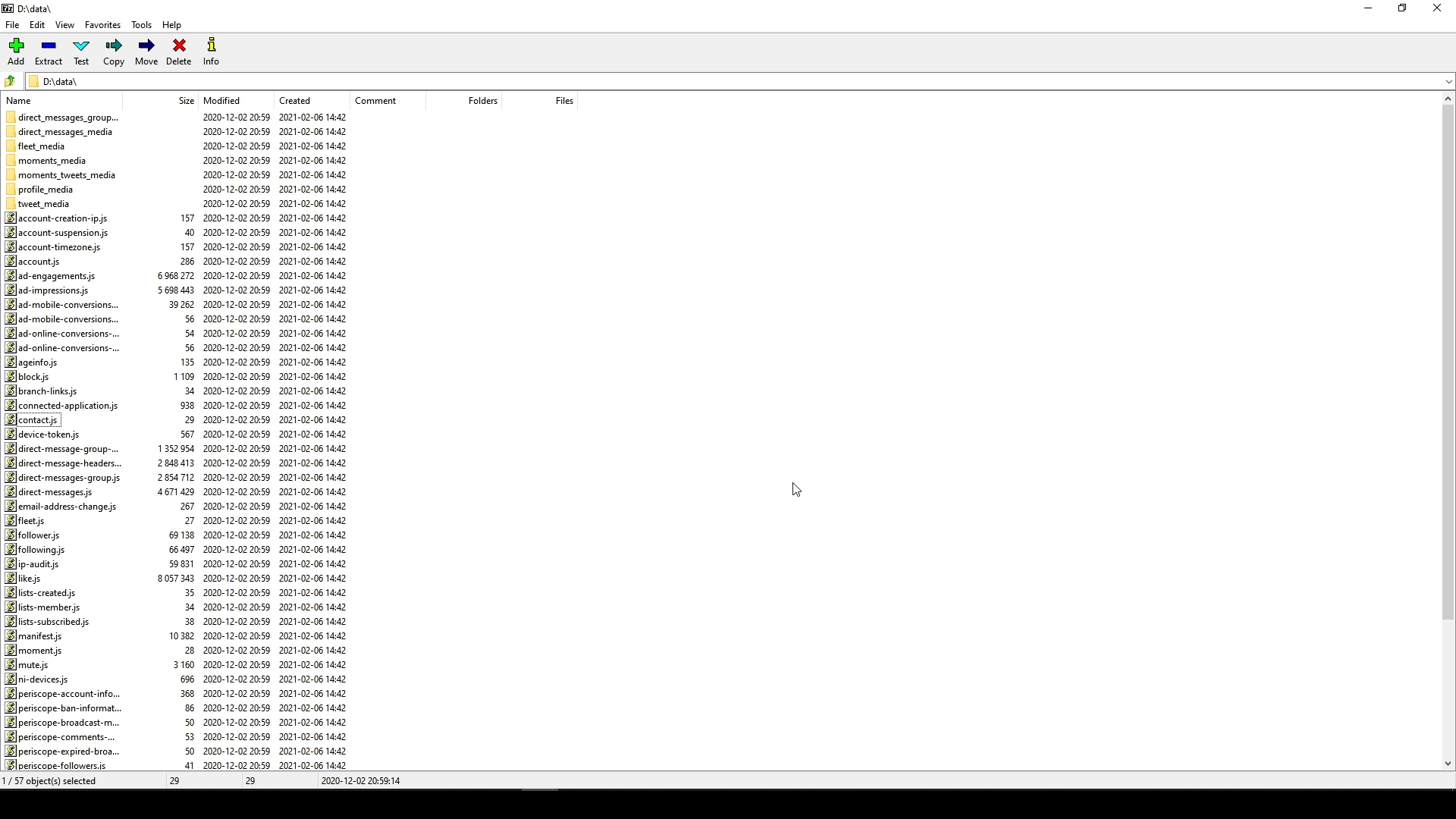  I want to click on name, so click(24, 99).